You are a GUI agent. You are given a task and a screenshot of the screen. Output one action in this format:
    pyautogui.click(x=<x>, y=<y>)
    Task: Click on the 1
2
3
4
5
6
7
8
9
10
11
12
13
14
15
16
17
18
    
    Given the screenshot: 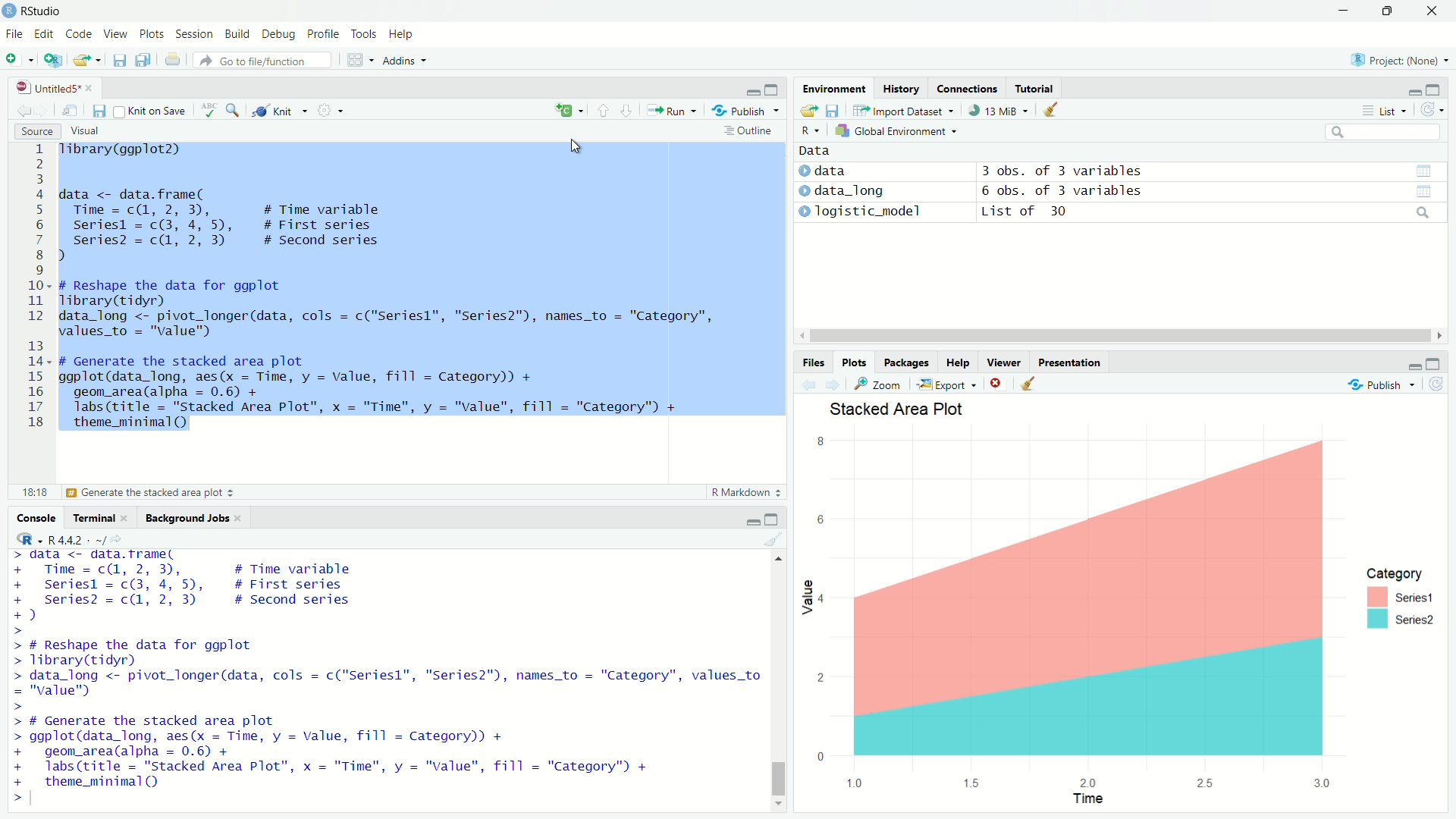 What is the action you would take?
    pyautogui.click(x=31, y=290)
    